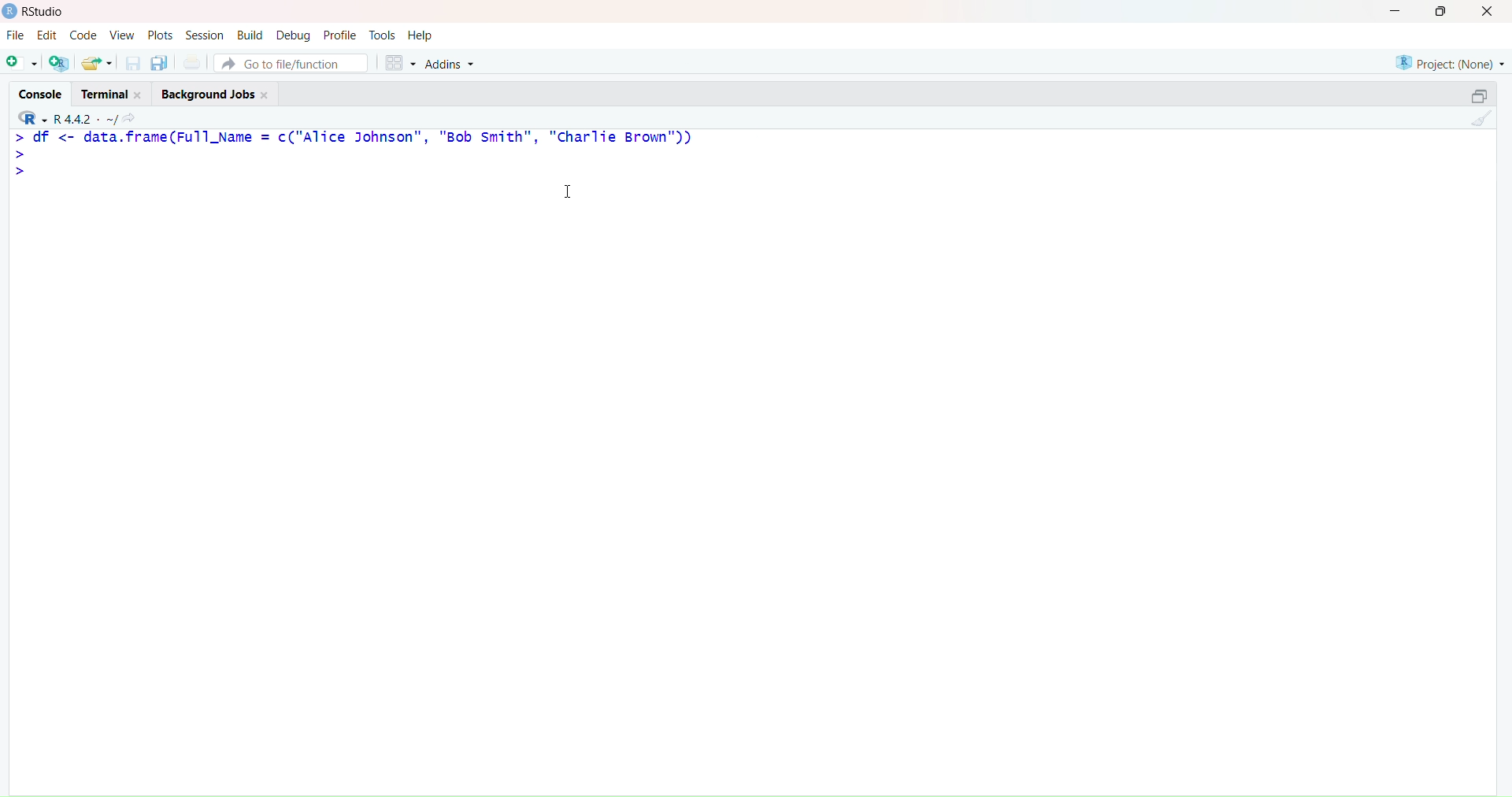  What do you see at coordinates (46, 35) in the screenshot?
I see `Edit` at bounding box center [46, 35].